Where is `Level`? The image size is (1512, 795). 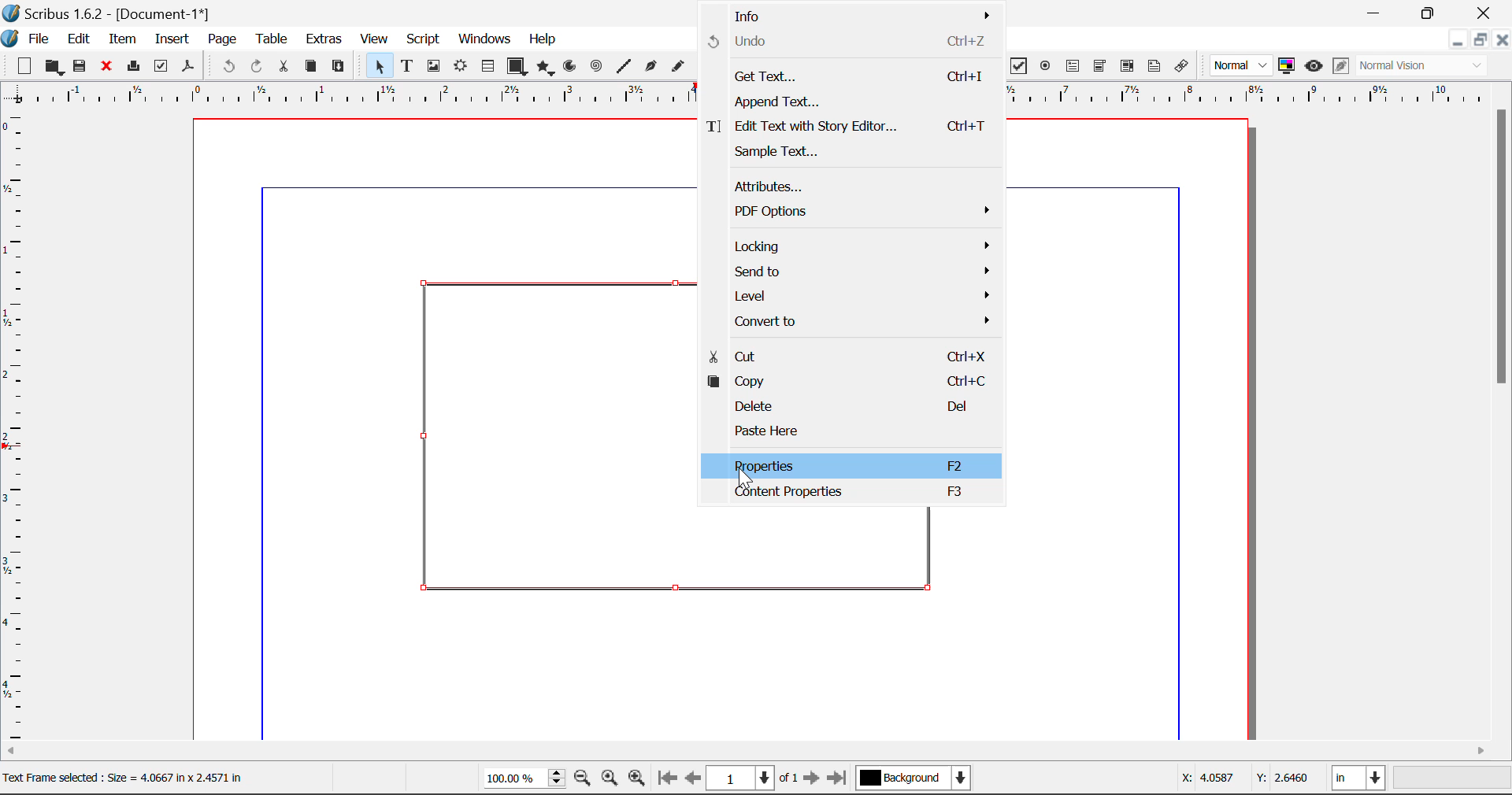 Level is located at coordinates (859, 295).